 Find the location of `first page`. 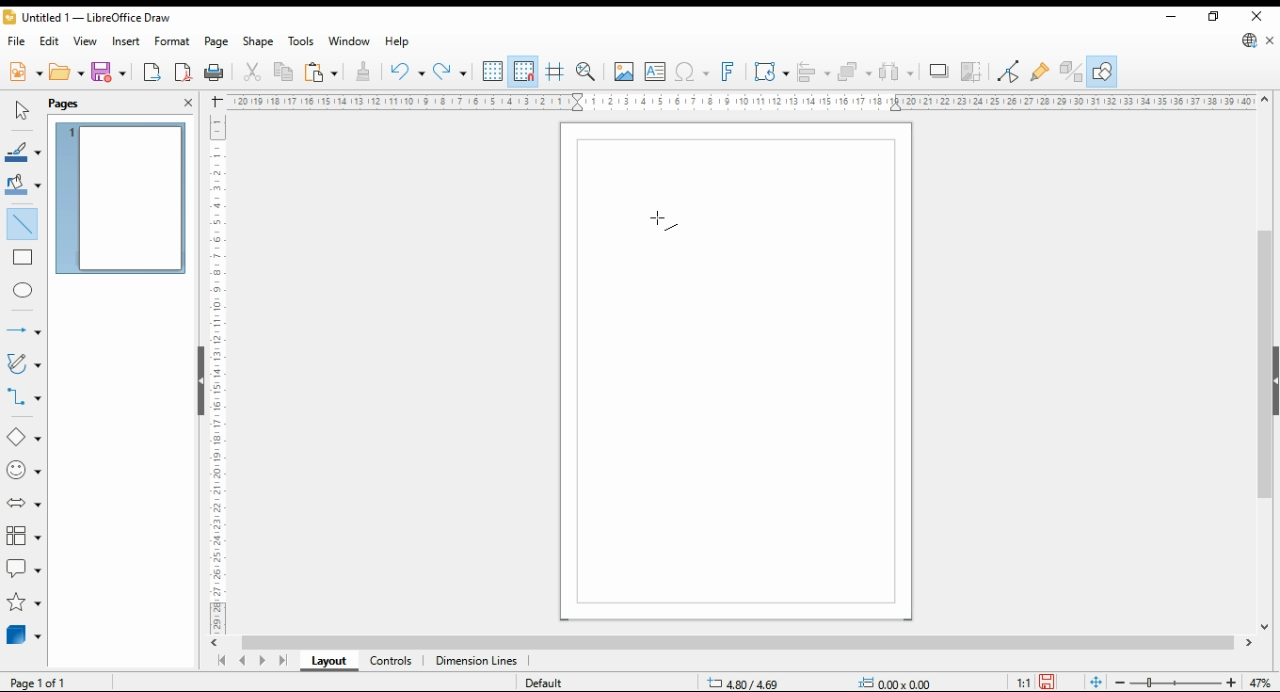

first page is located at coordinates (221, 661).